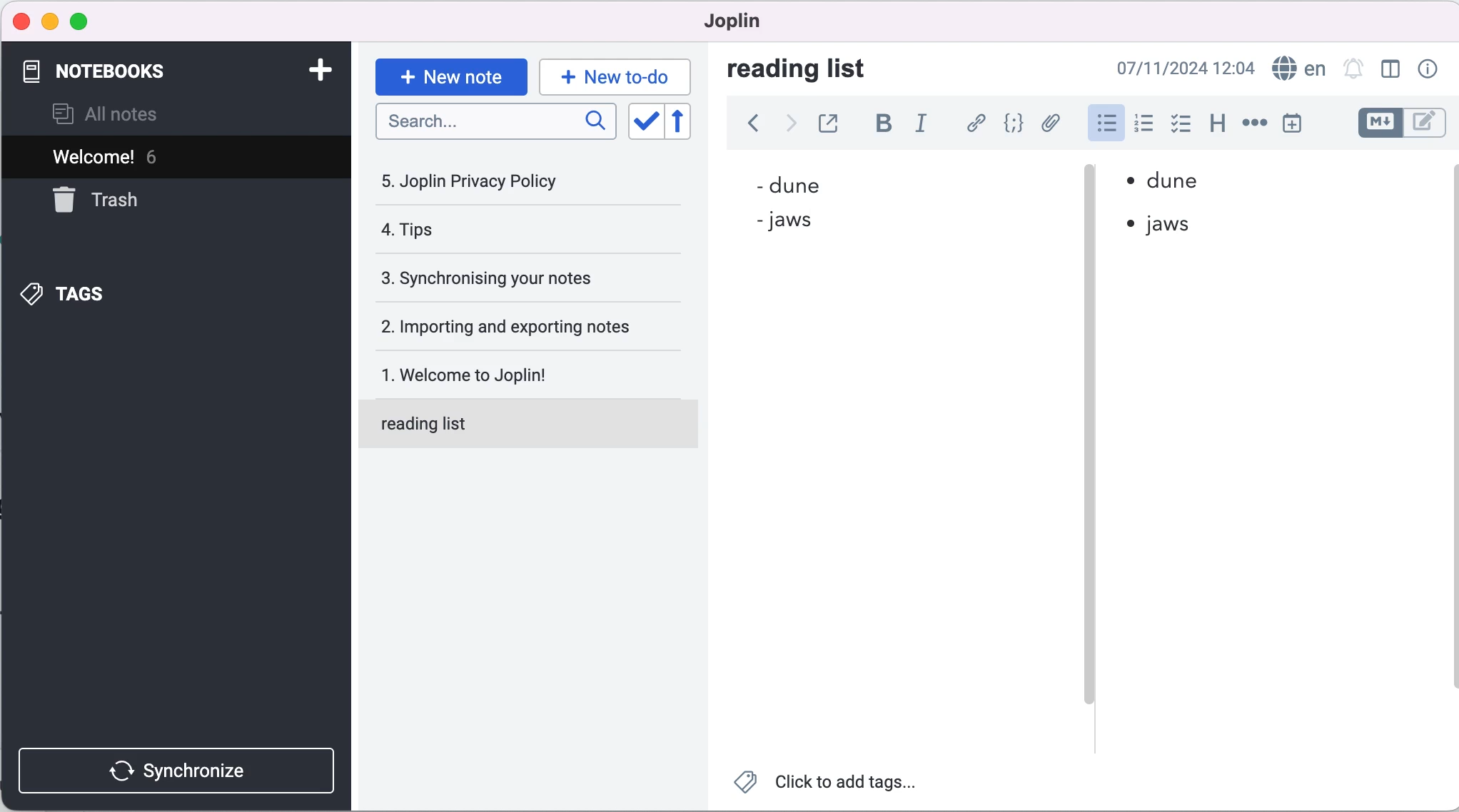  Describe the element at coordinates (1101, 126) in the screenshot. I see `bulleted list` at that location.